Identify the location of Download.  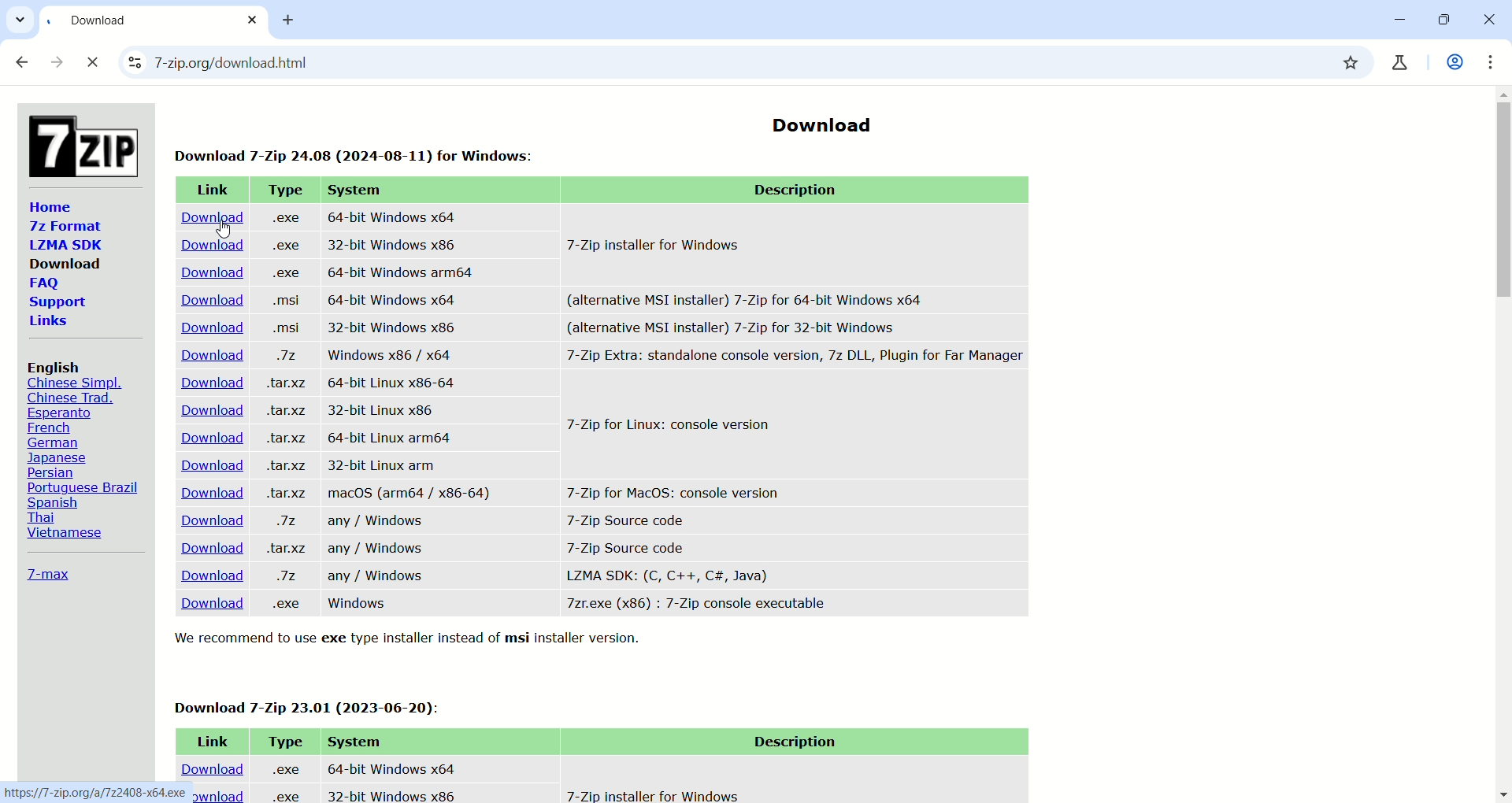
(211, 439).